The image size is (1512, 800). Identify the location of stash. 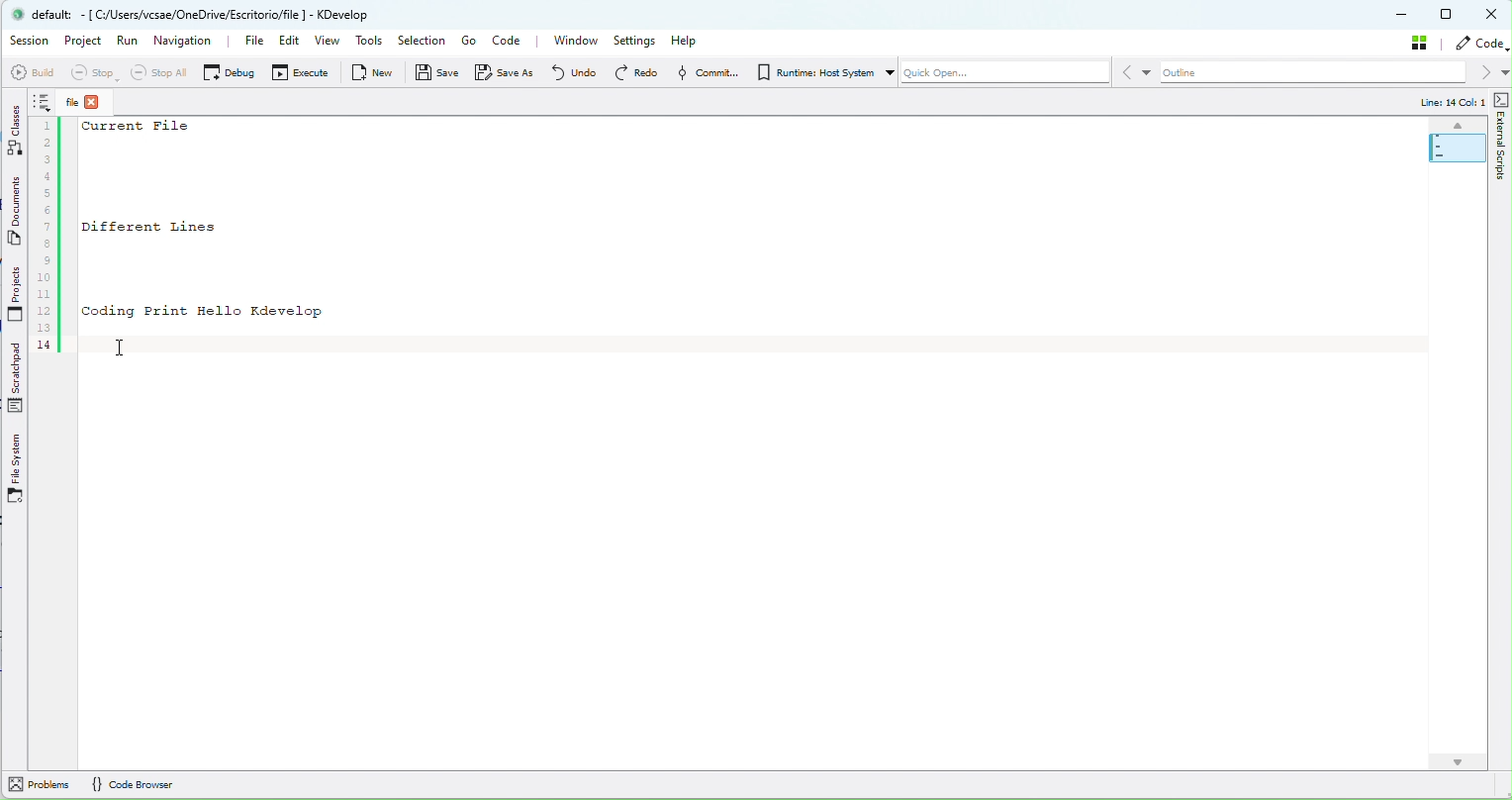
(1423, 42).